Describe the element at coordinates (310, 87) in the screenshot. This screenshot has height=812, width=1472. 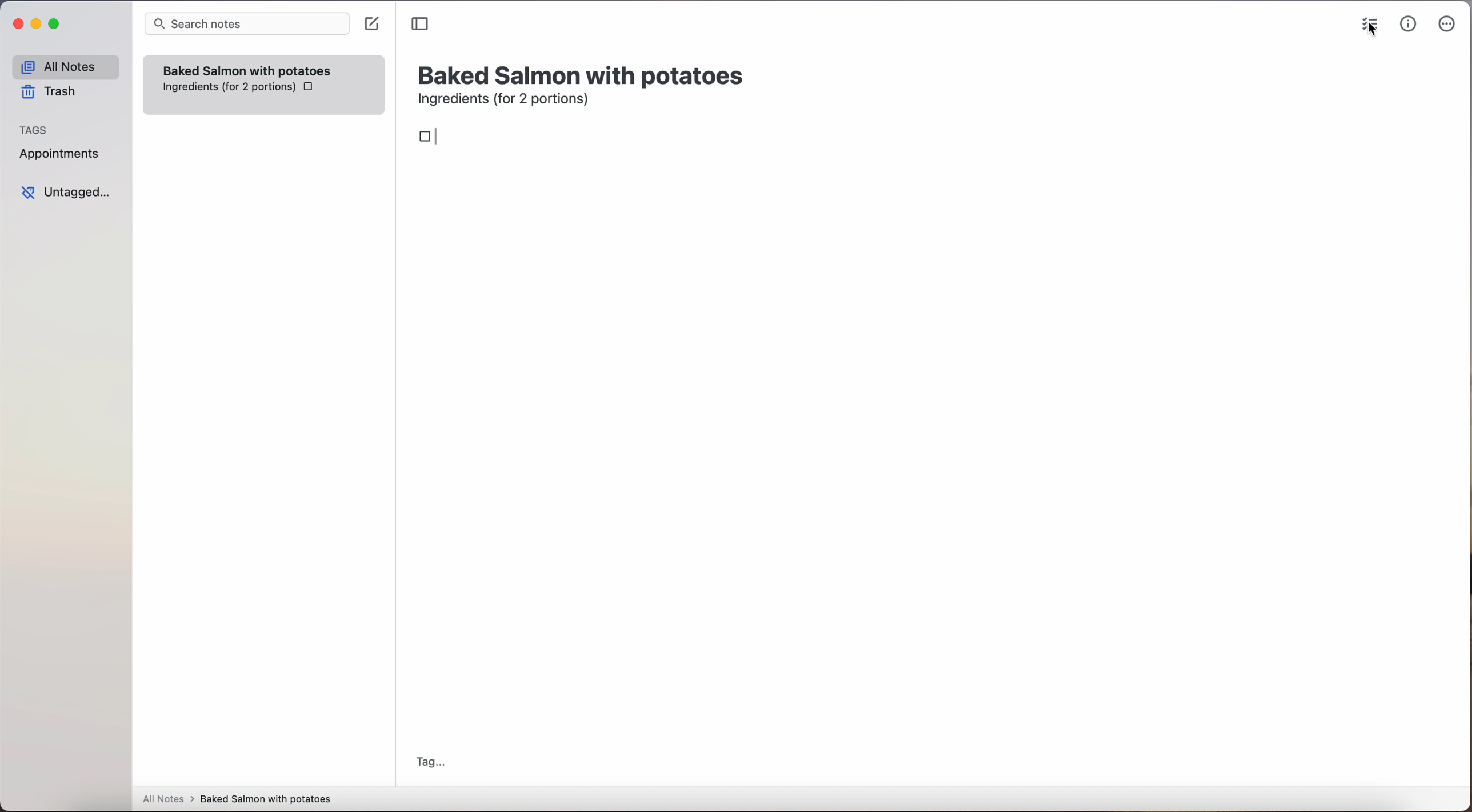
I see `checkbox` at that location.